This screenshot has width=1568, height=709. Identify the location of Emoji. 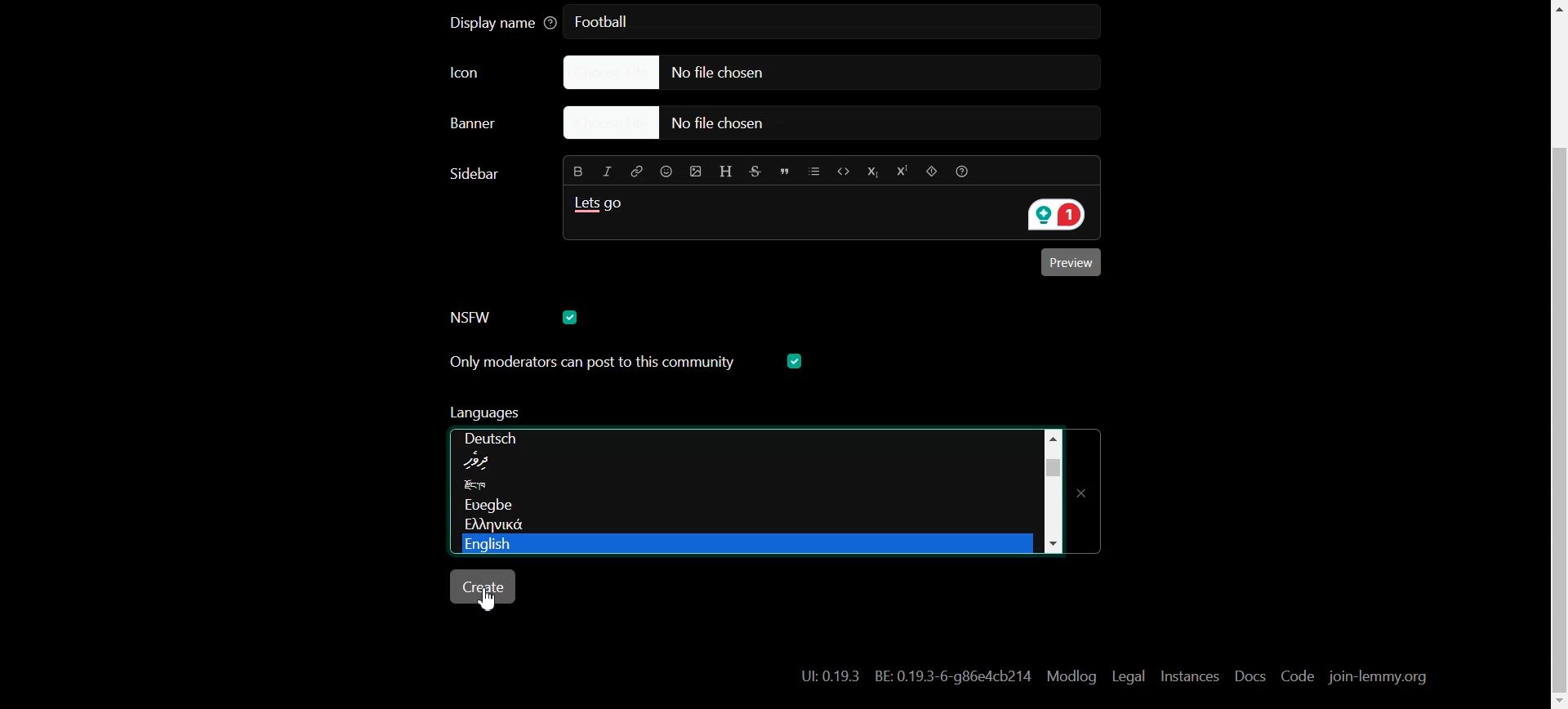
(665, 172).